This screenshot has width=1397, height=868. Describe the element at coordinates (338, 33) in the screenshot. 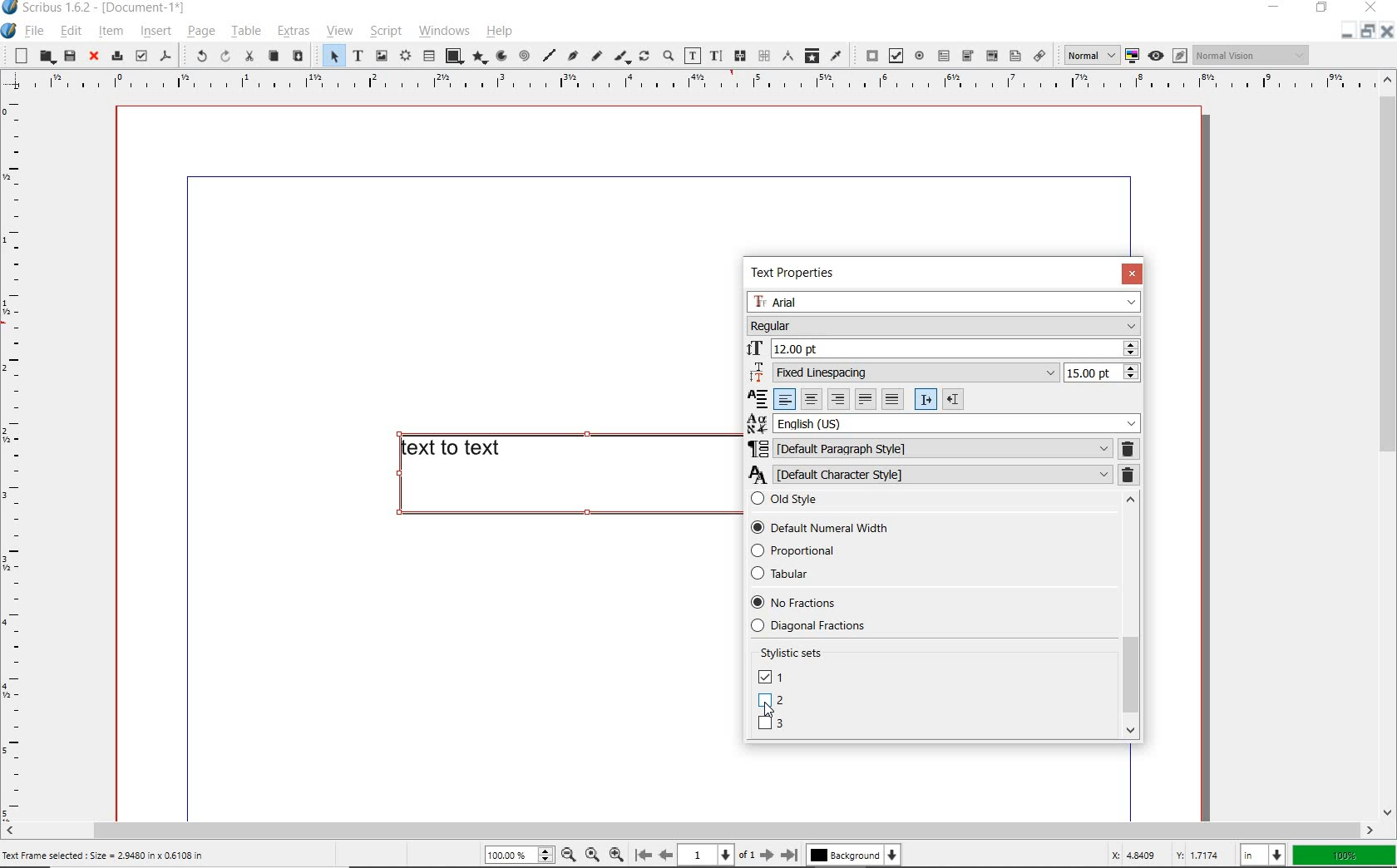

I see `view` at that location.